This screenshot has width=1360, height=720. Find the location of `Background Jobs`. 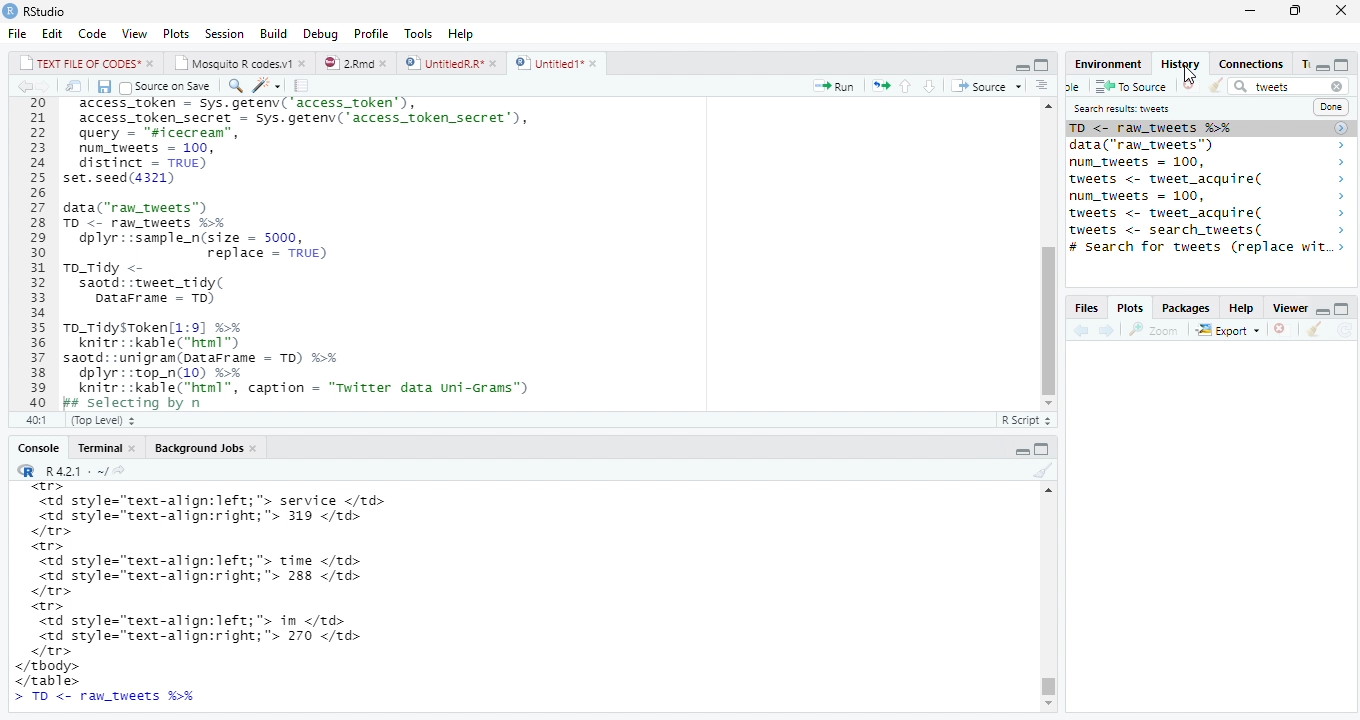

Background Jobs is located at coordinates (208, 447).